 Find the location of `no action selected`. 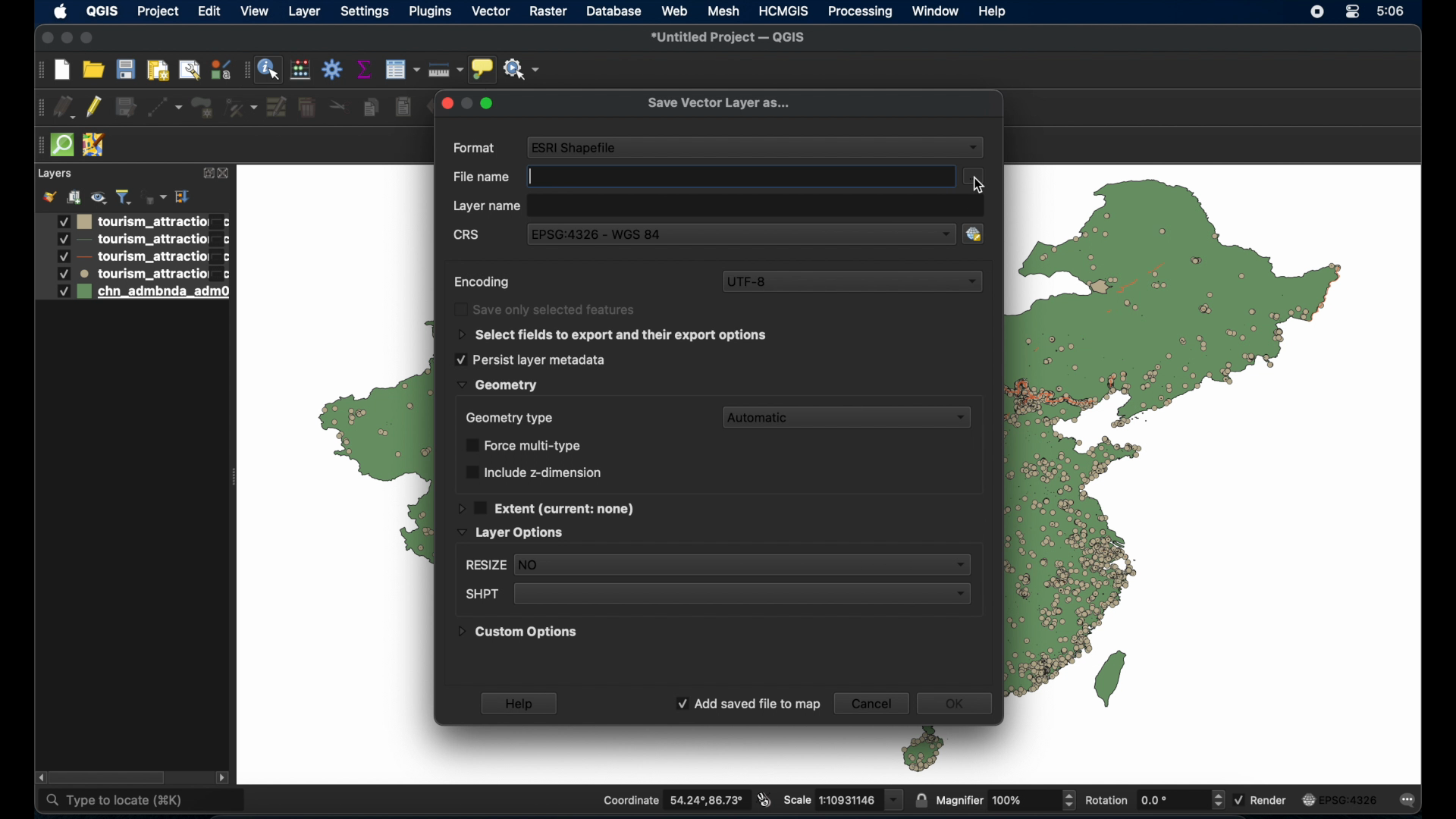

no action selected is located at coordinates (522, 67).